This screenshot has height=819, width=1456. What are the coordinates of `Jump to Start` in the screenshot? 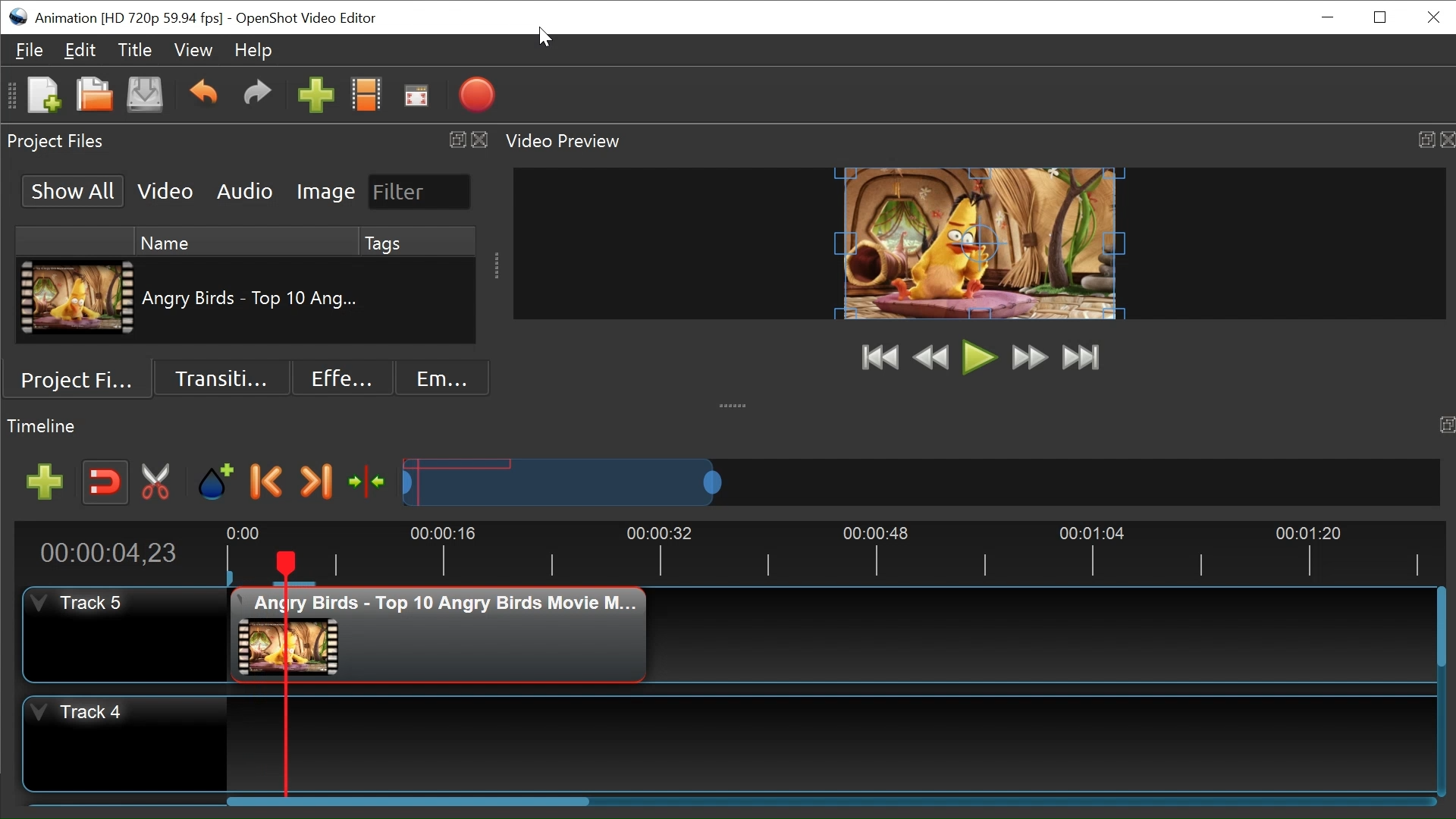 It's located at (881, 359).